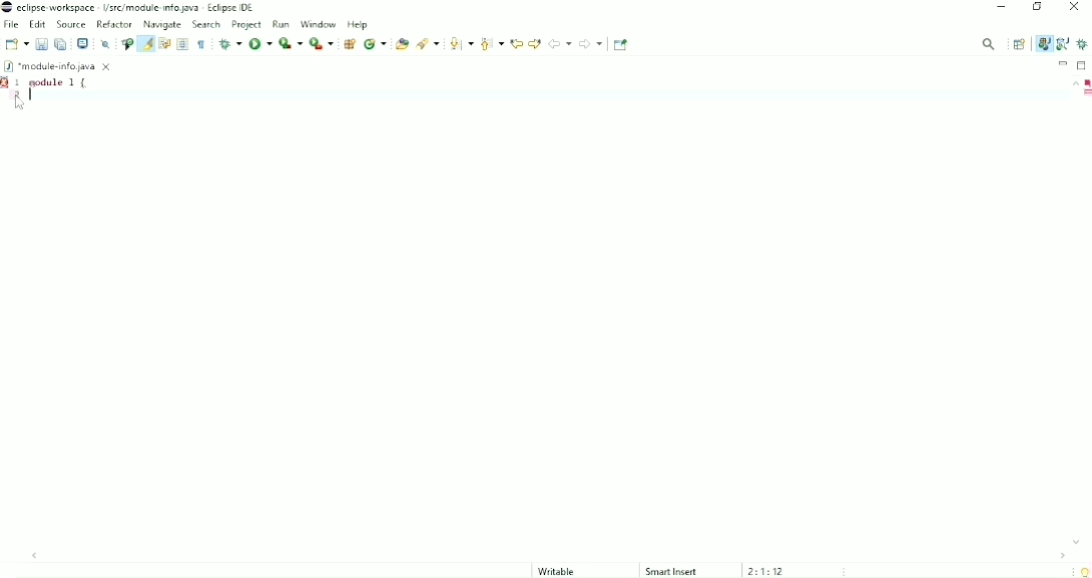 Image resolution: width=1092 pixels, height=578 pixels. What do you see at coordinates (207, 25) in the screenshot?
I see `Search` at bounding box center [207, 25].